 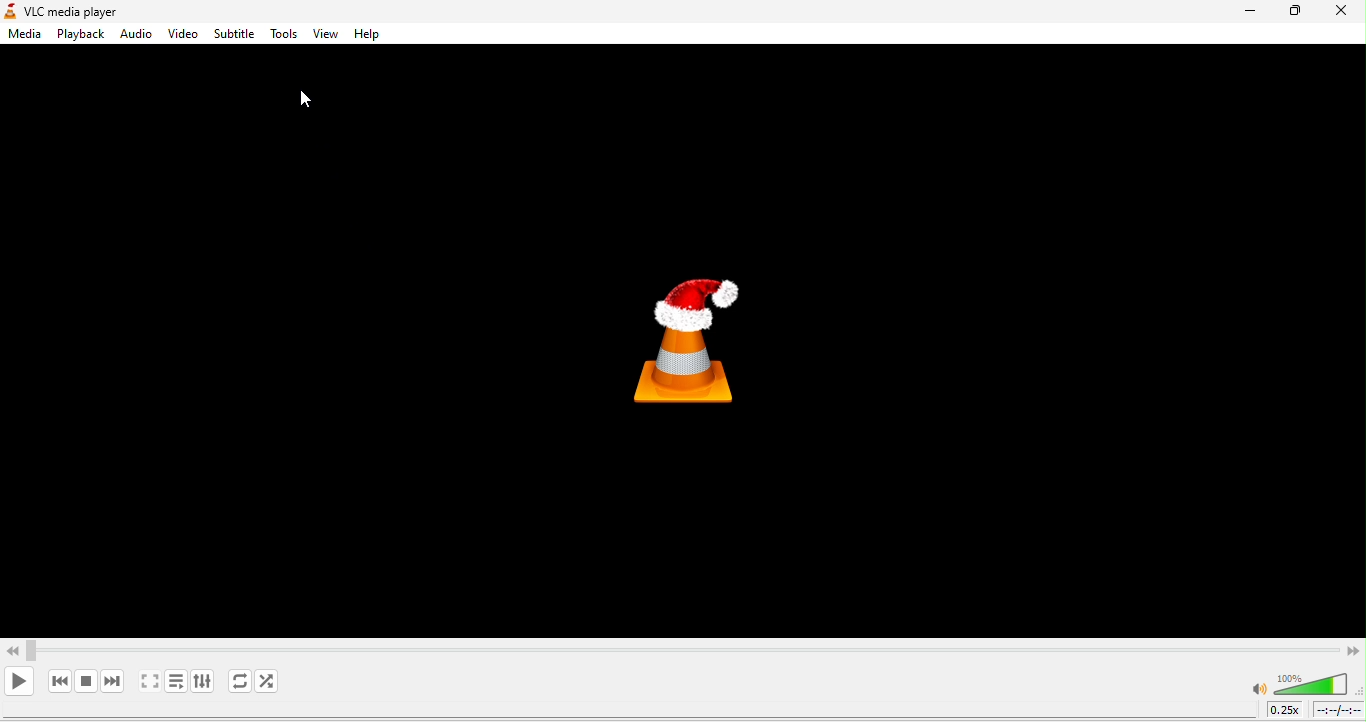 I want to click on maximize, so click(x=1296, y=13).